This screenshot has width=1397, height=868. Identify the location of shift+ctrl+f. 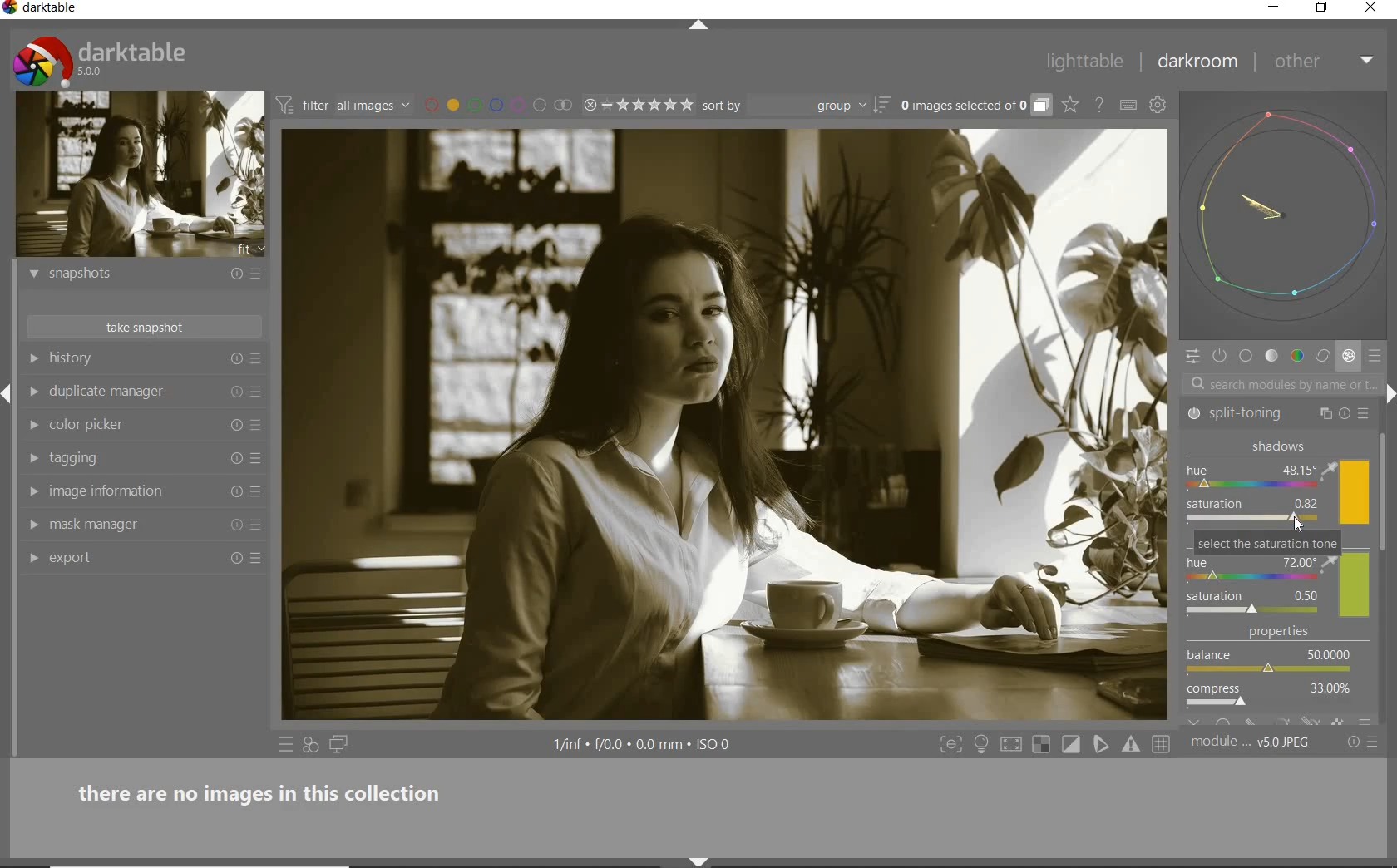
(951, 745).